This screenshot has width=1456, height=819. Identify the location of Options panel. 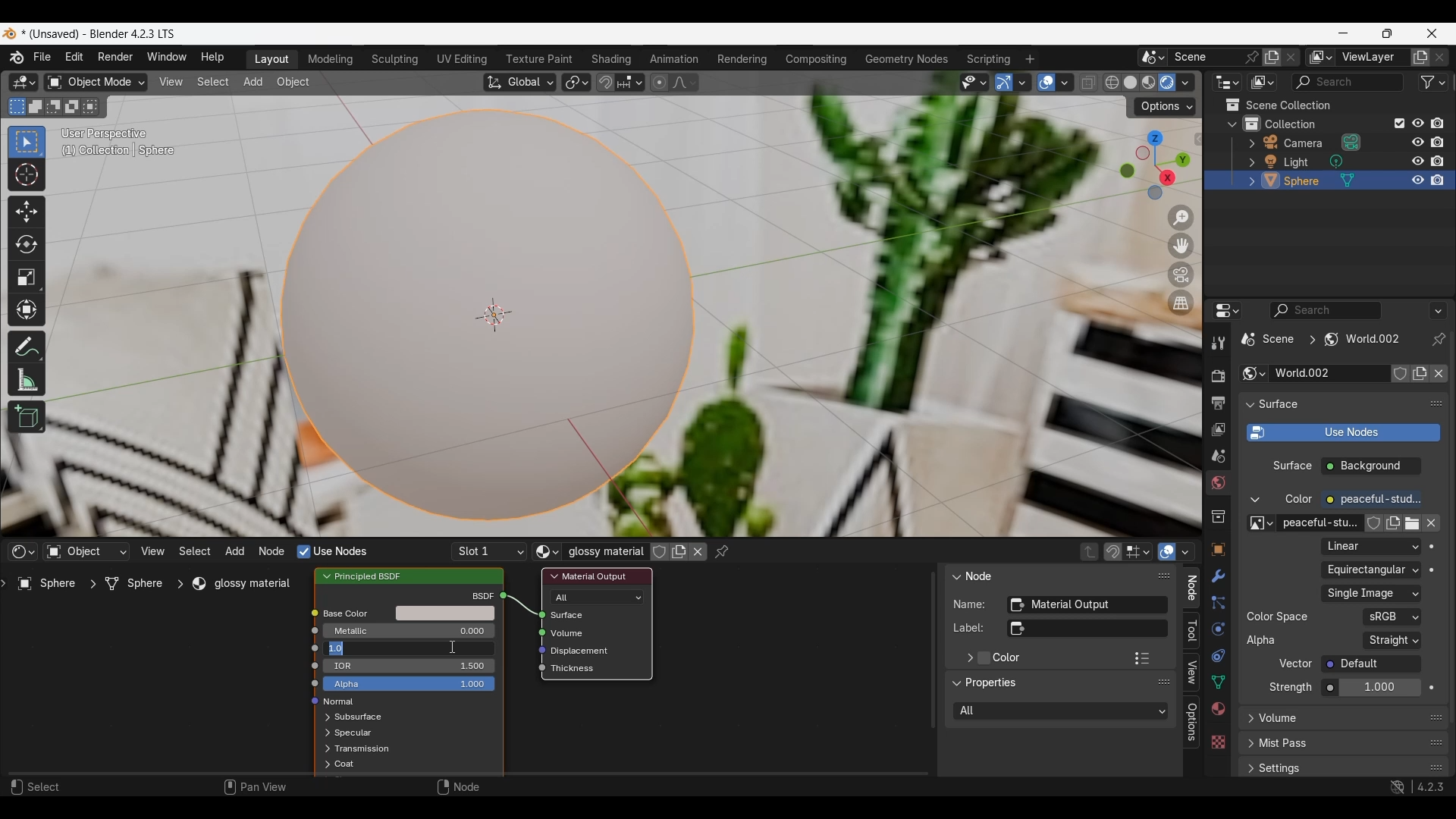
(1192, 722).